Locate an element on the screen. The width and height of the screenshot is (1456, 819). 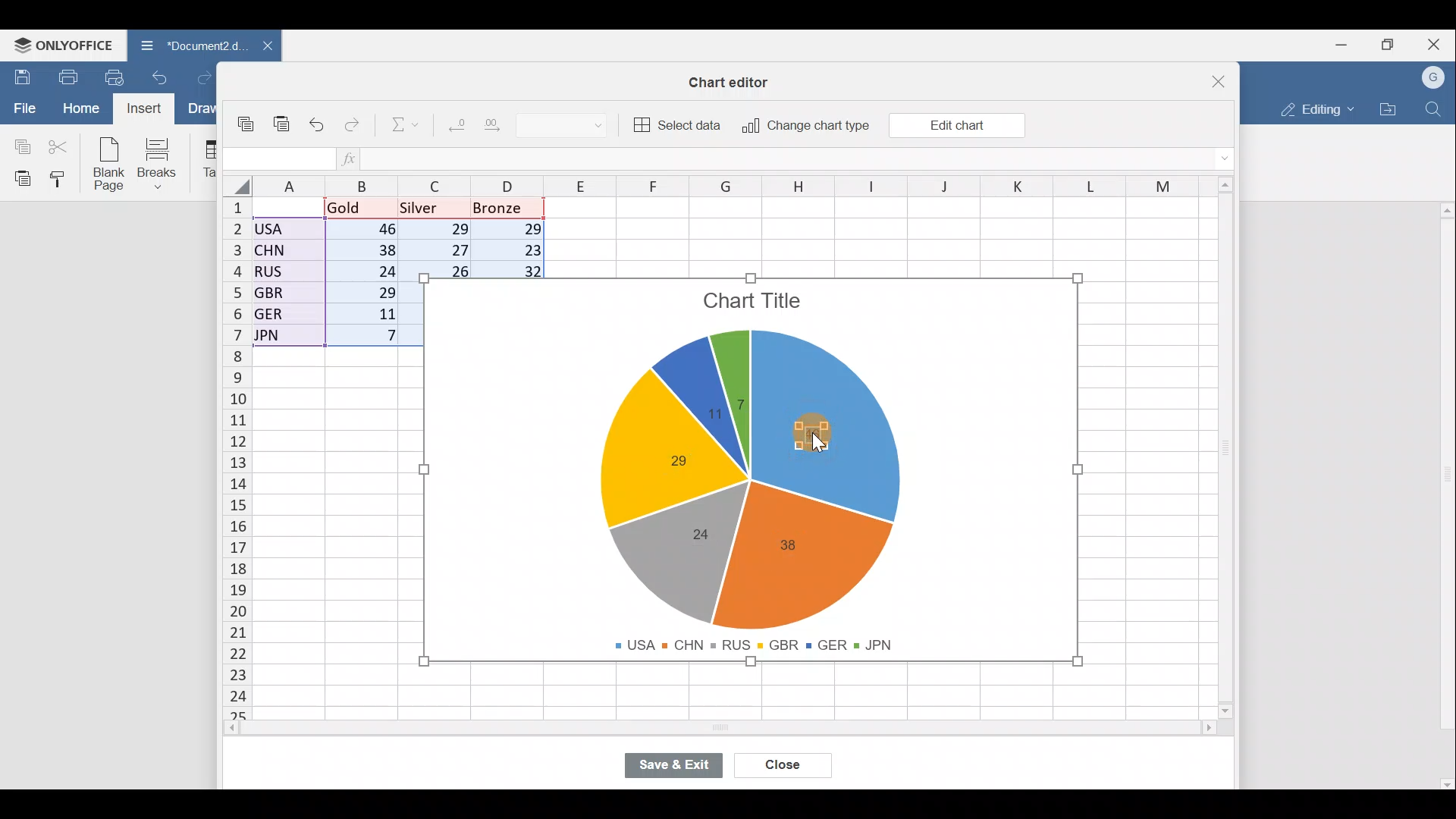
Account name is located at coordinates (1434, 78).